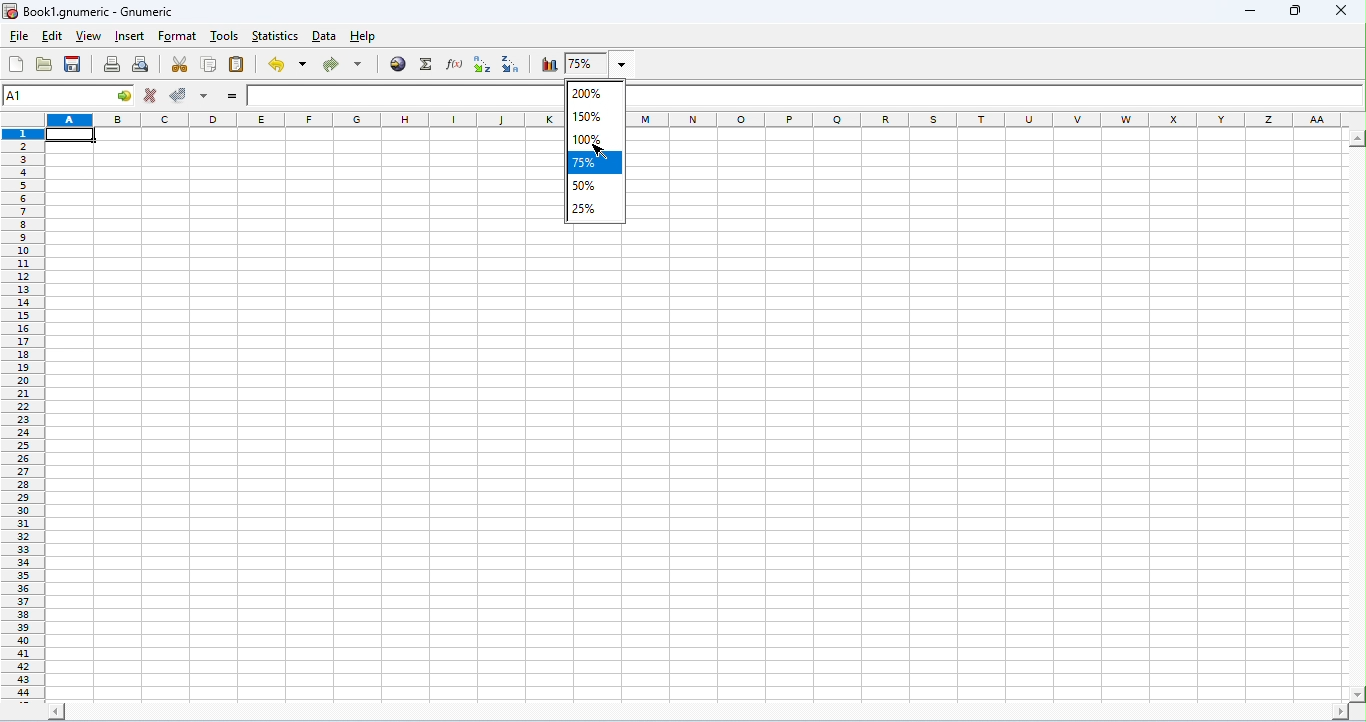 This screenshot has height=722, width=1366. What do you see at coordinates (549, 64) in the screenshot?
I see `insert chart` at bounding box center [549, 64].